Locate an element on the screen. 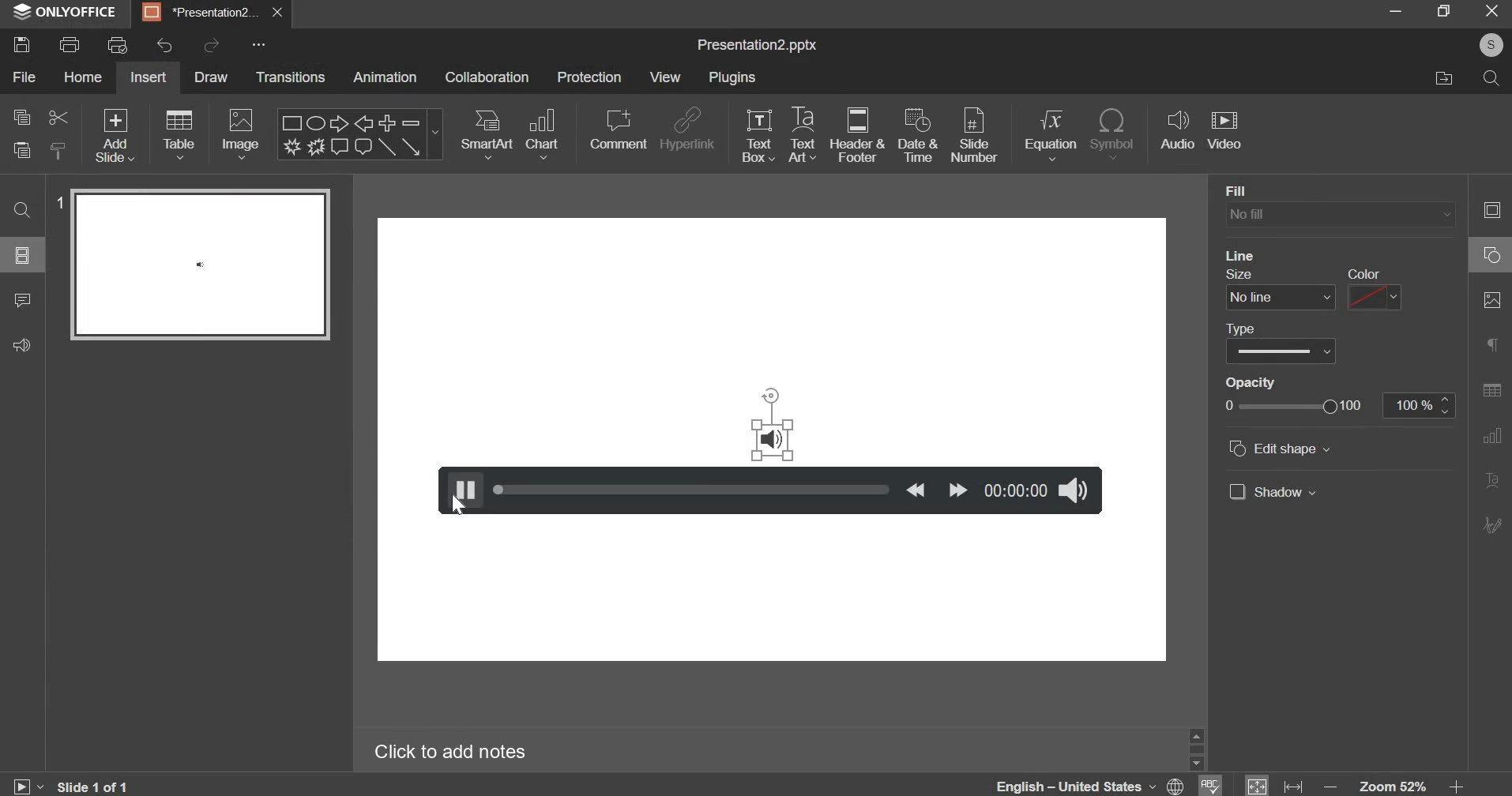 The width and height of the screenshot is (1512, 796). play button is located at coordinates (461, 490).